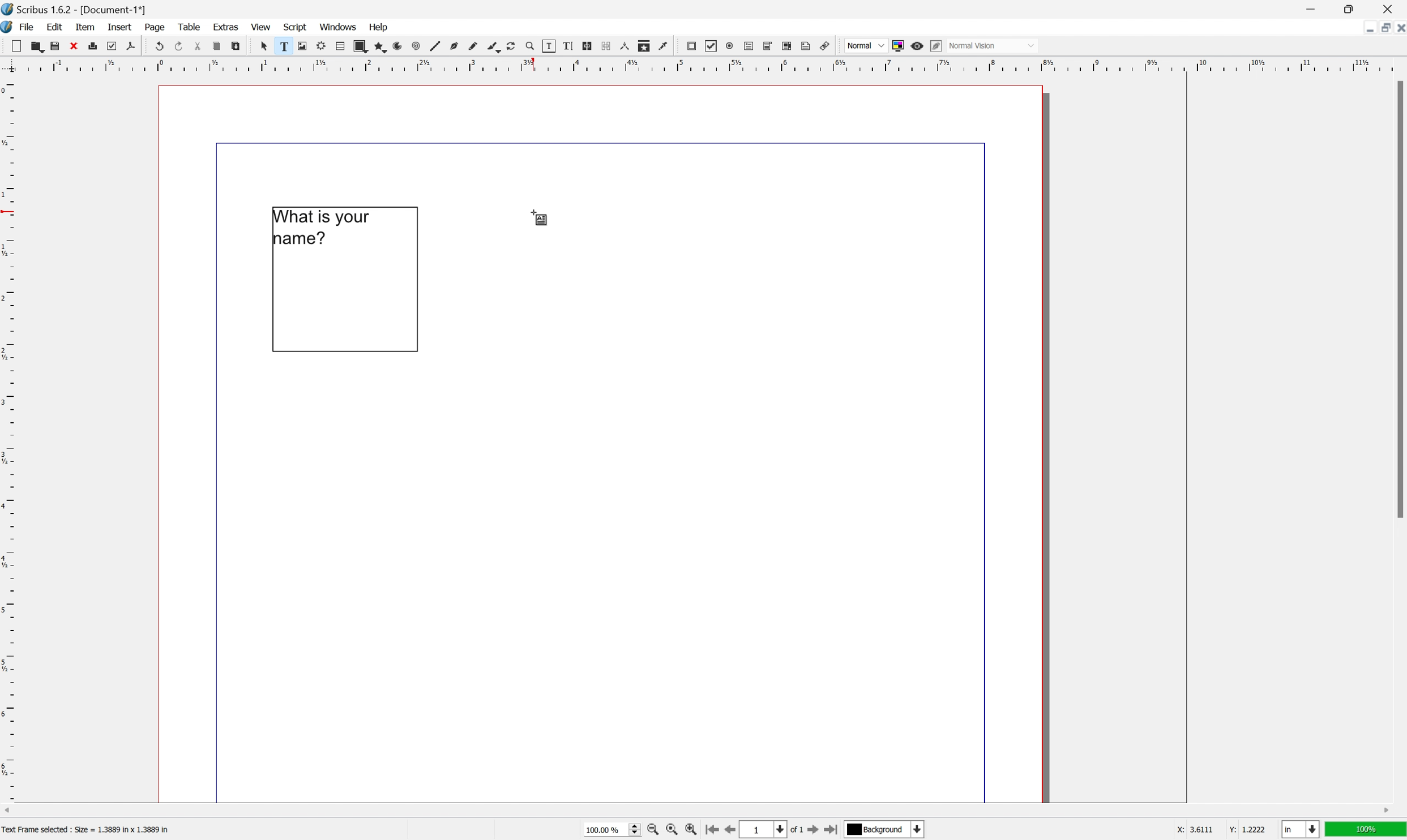 This screenshot has width=1407, height=840. What do you see at coordinates (703, 67) in the screenshot?
I see `ruler` at bounding box center [703, 67].